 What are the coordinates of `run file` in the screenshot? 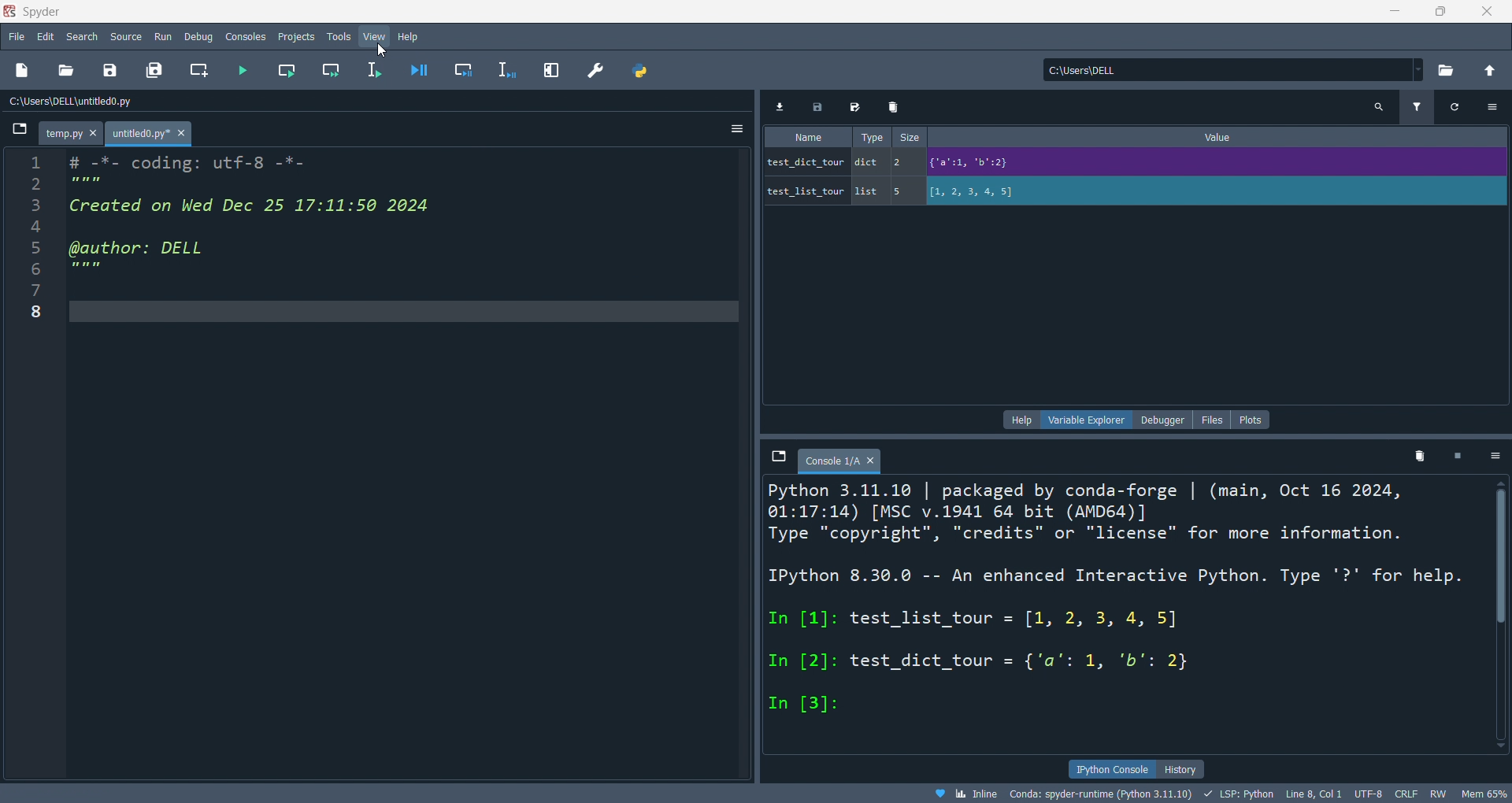 It's located at (239, 69).